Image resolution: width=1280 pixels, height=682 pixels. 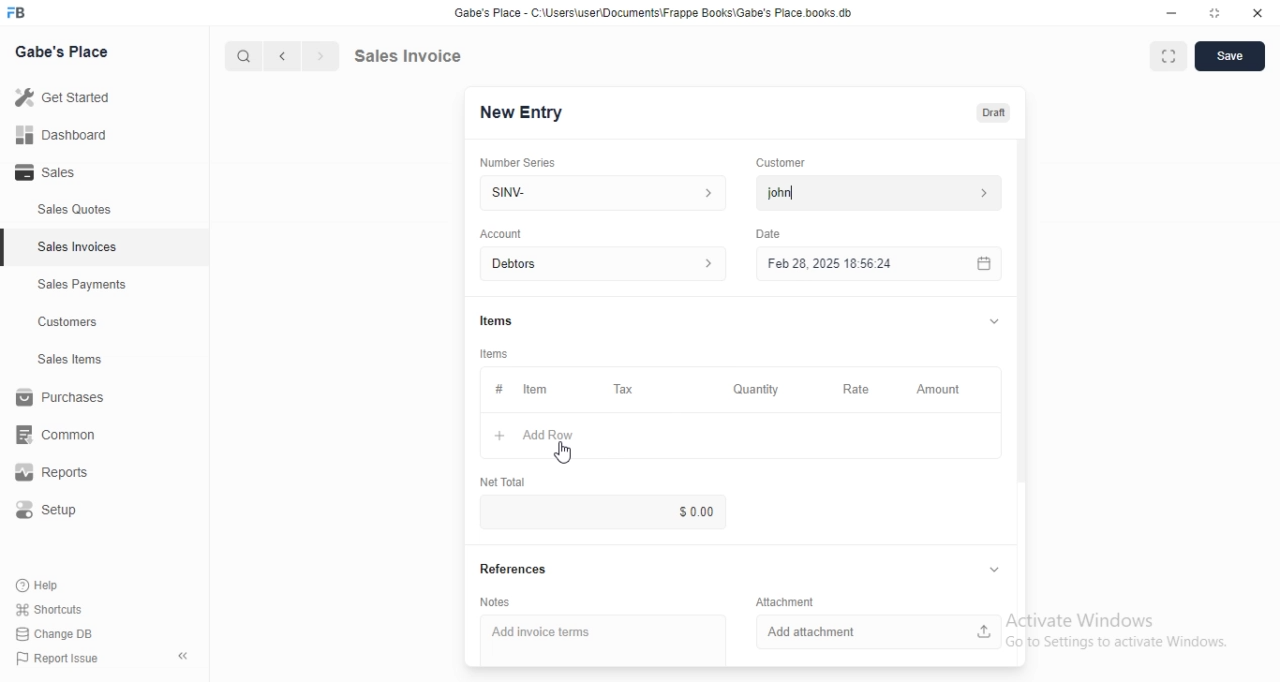 What do you see at coordinates (1163, 15) in the screenshot?
I see `minimize` at bounding box center [1163, 15].